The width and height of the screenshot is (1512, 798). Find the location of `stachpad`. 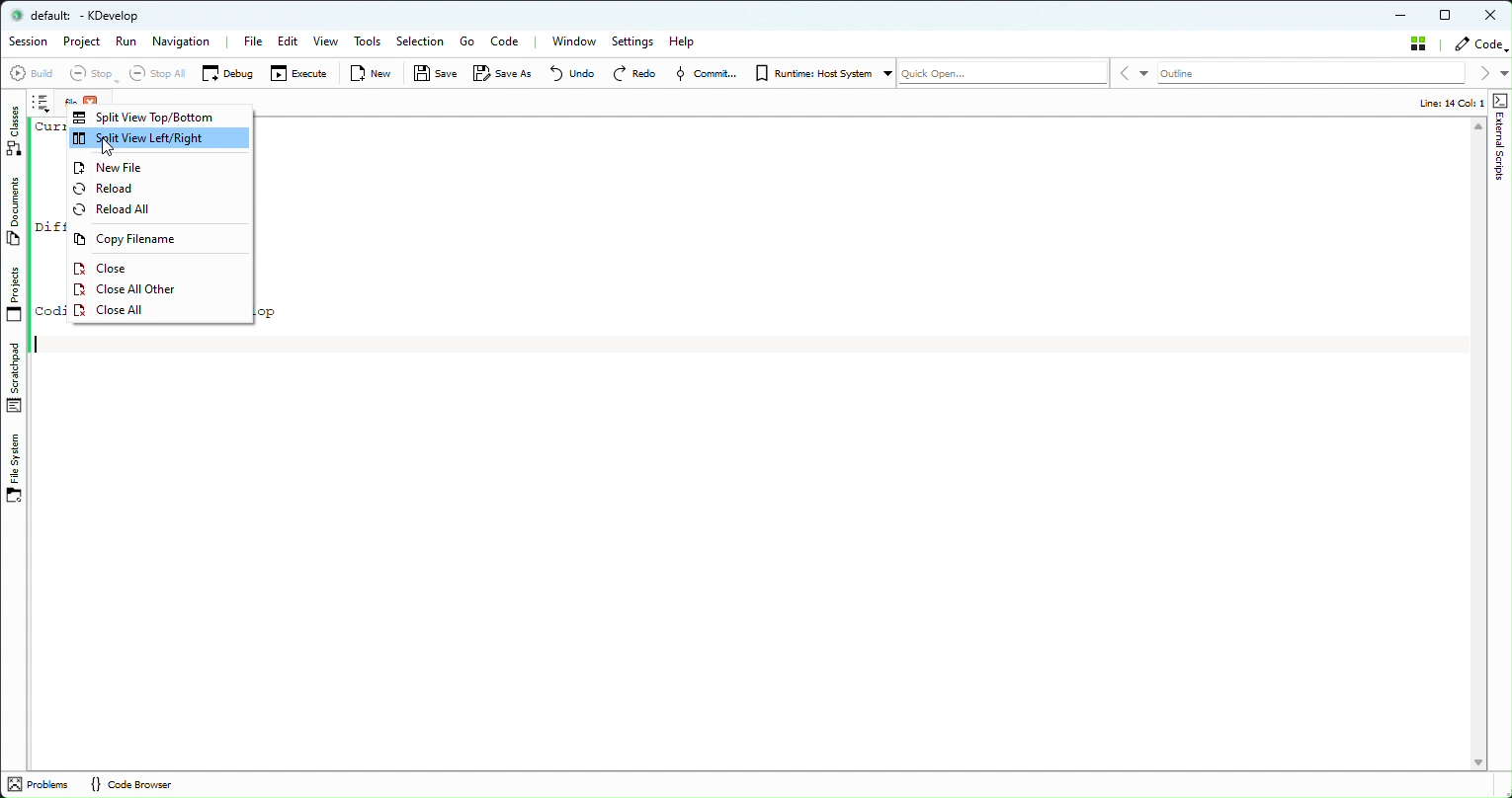

stachpad is located at coordinates (13, 377).